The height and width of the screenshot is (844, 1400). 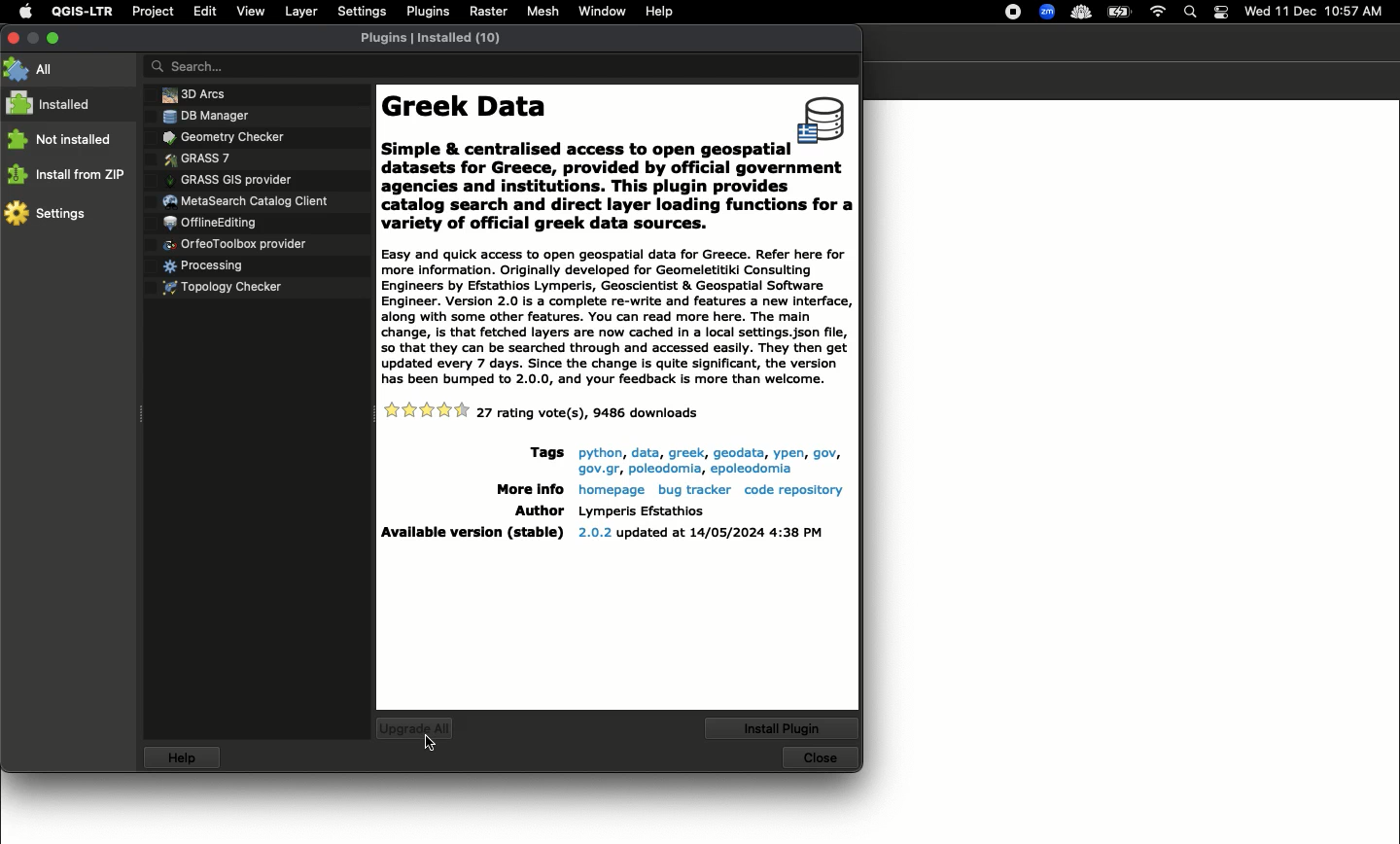 I want to click on Topology checker, so click(x=228, y=290).